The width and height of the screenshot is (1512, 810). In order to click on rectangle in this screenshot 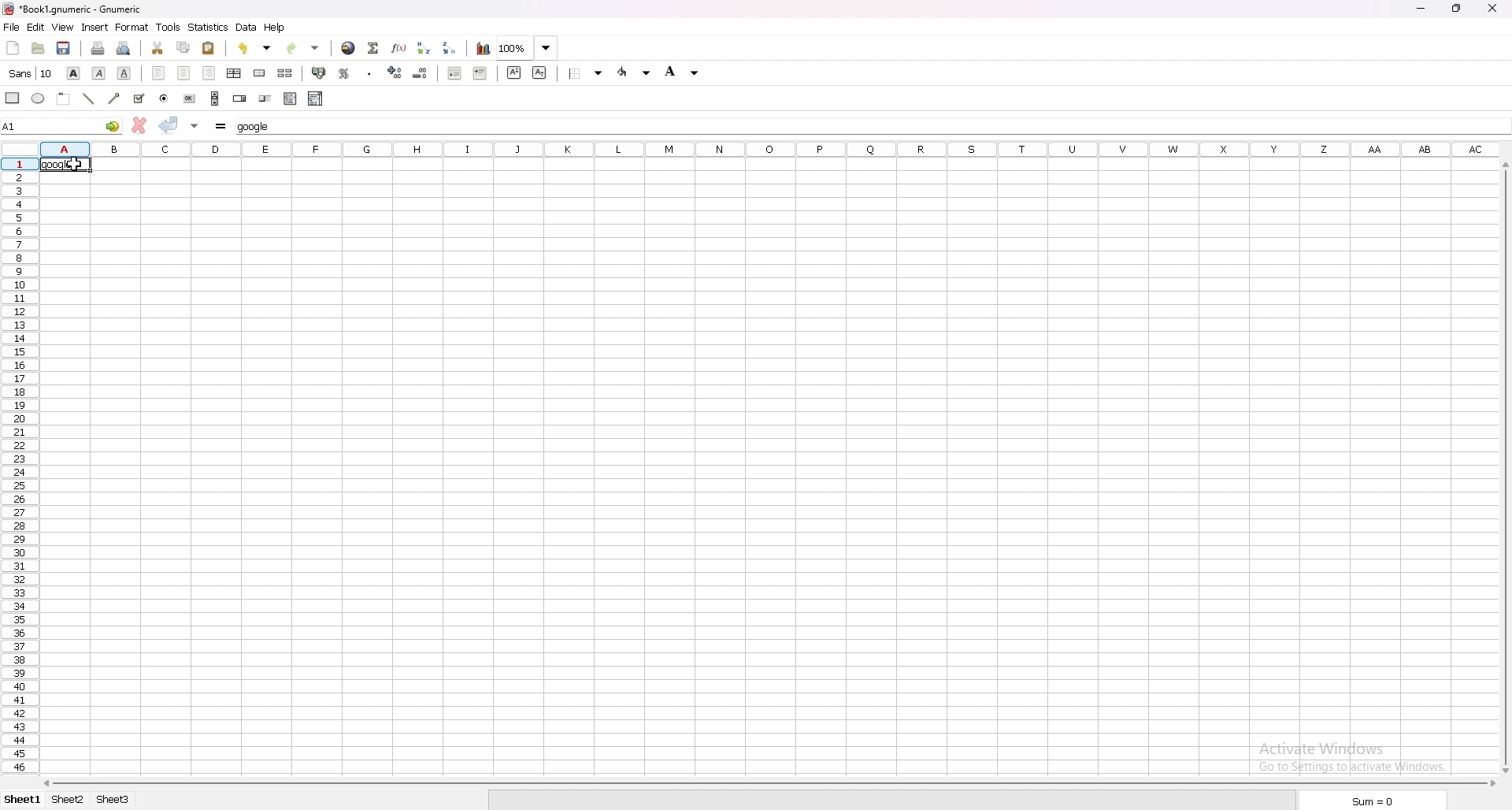, I will do `click(13, 97)`.